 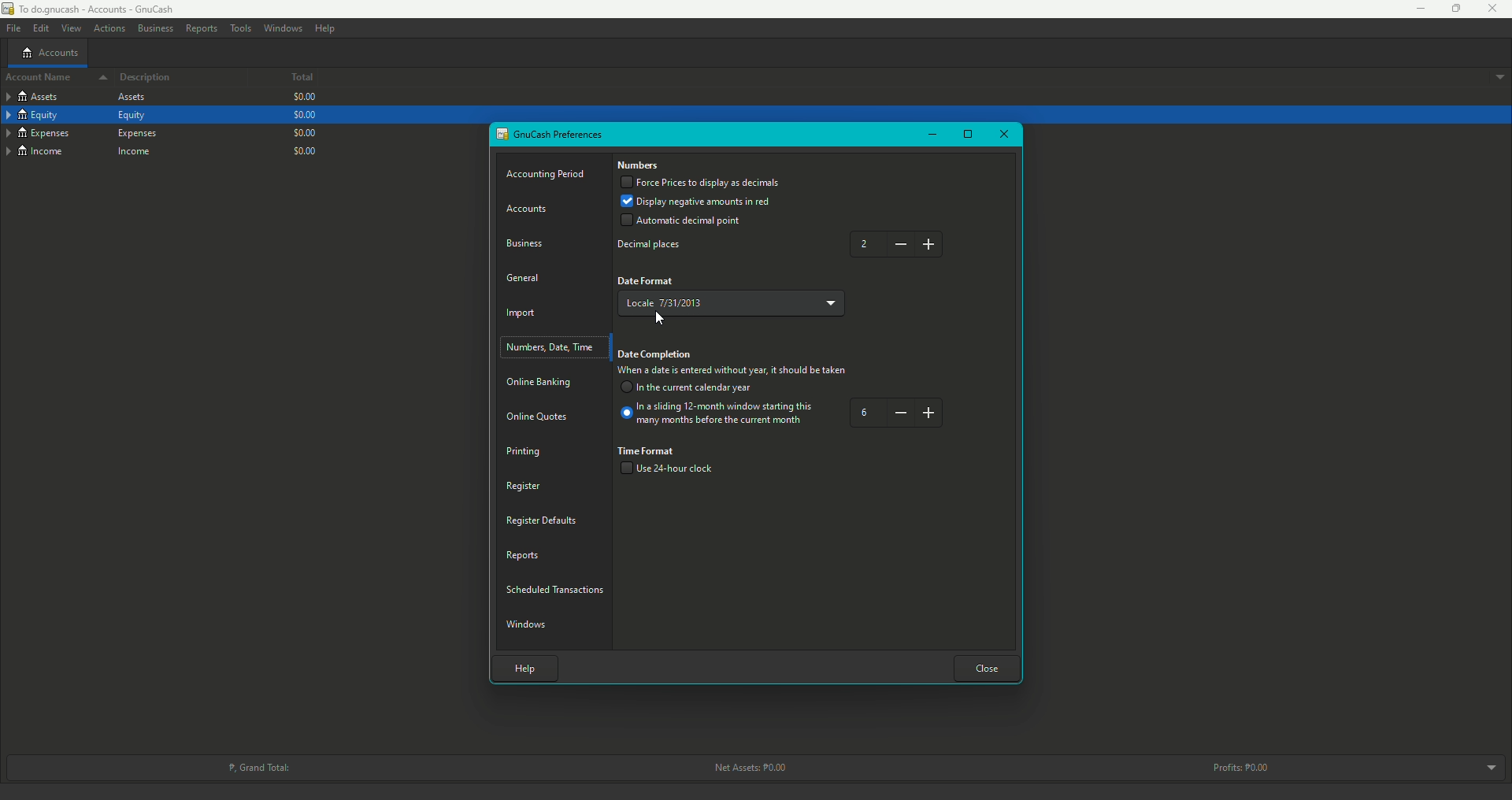 What do you see at coordinates (524, 315) in the screenshot?
I see `Import` at bounding box center [524, 315].